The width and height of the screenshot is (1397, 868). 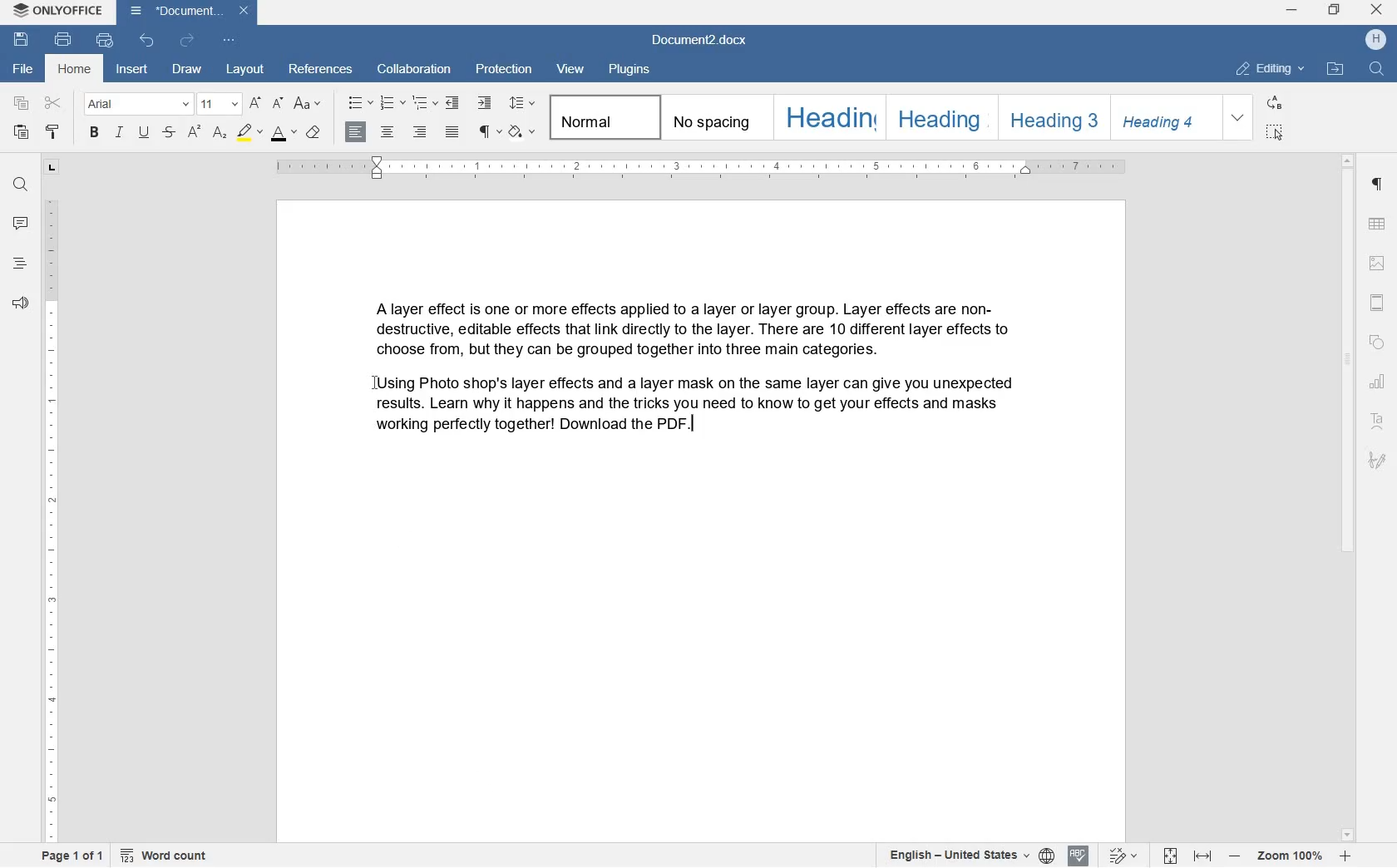 I want to click on HEADINGS, so click(x=20, y=264).